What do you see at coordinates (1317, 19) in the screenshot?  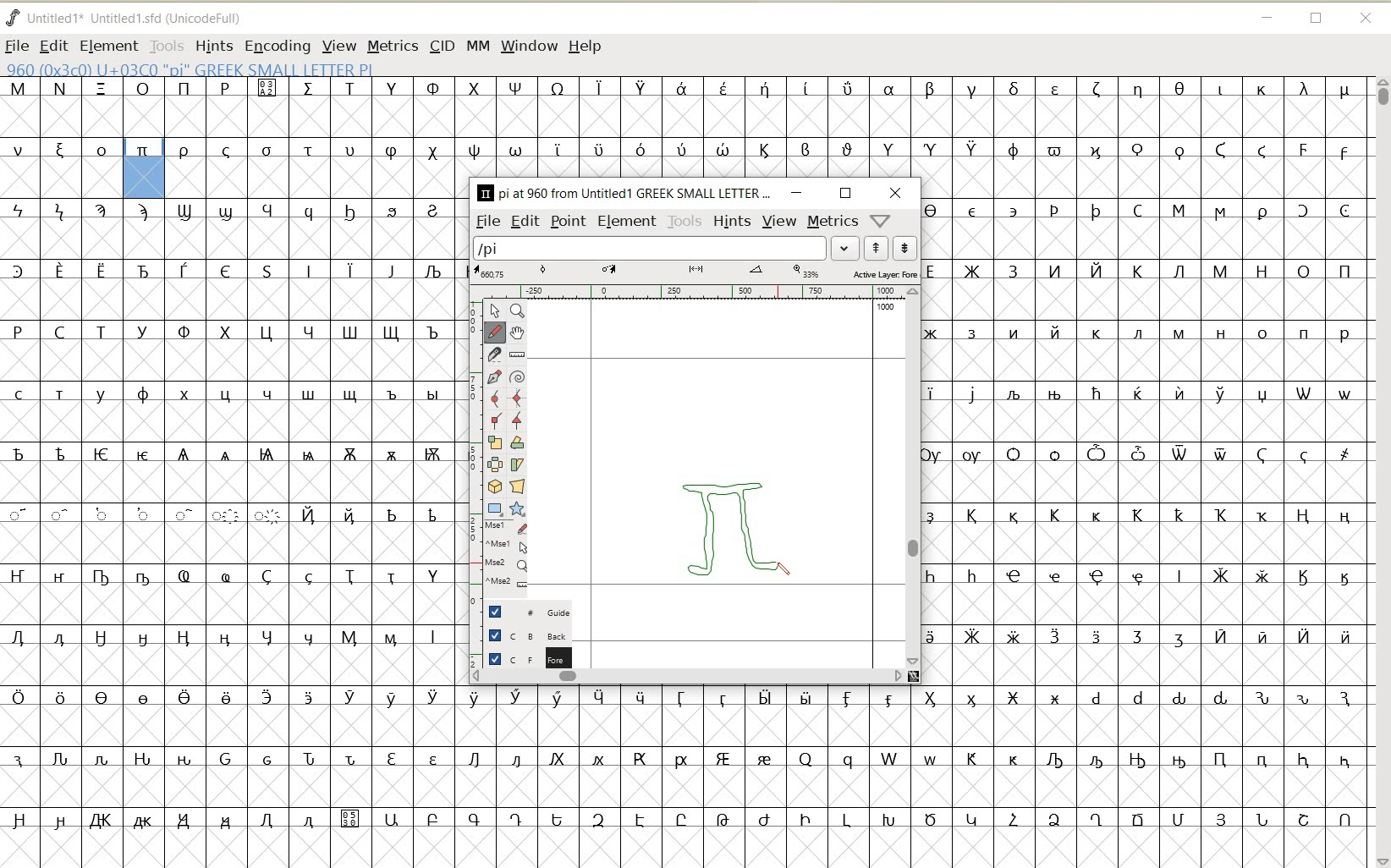 I see `RESTORE` at bounding box center [1317, 19].